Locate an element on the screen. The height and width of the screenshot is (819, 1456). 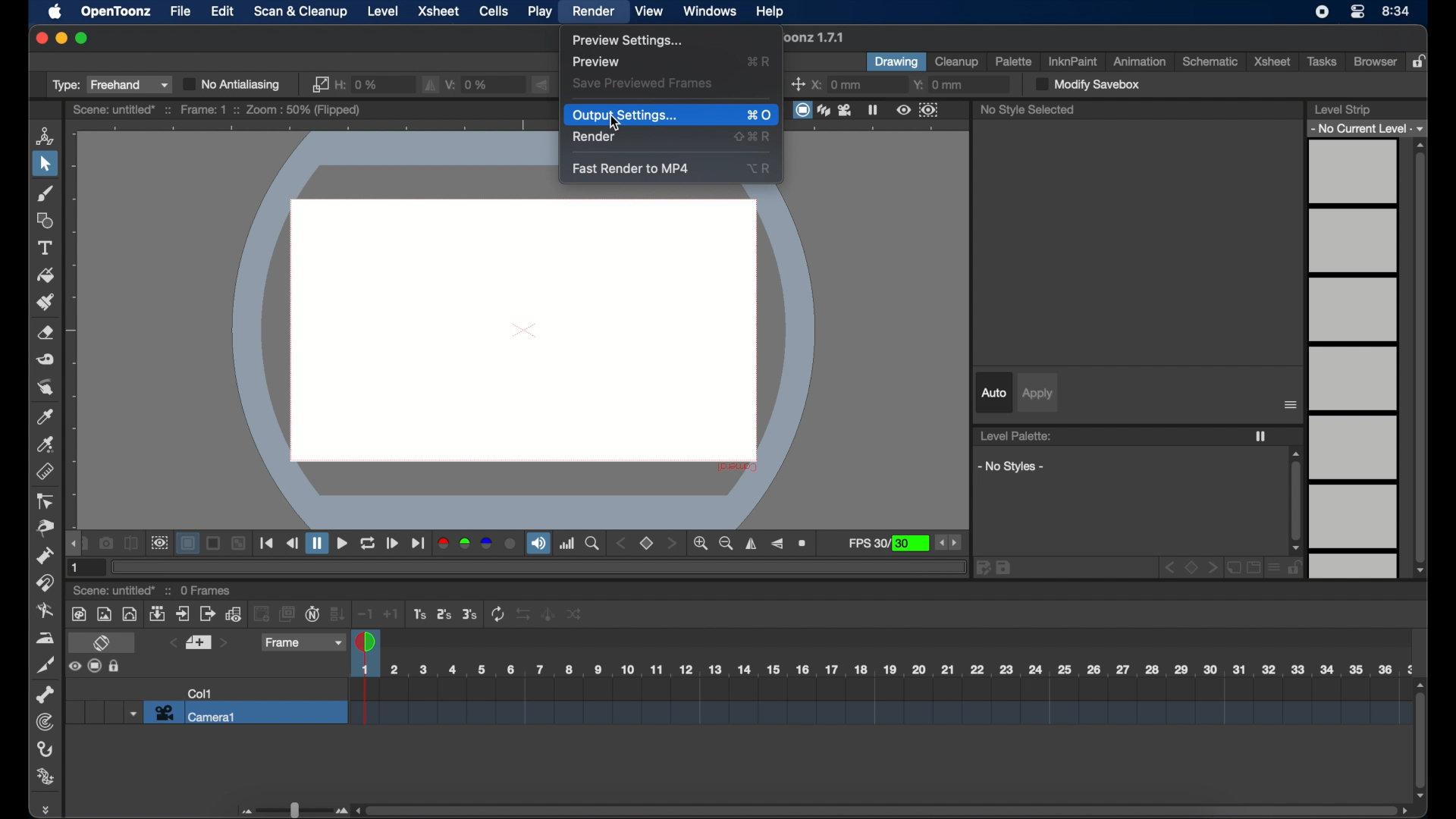
 is located at coordinates (365, 613).